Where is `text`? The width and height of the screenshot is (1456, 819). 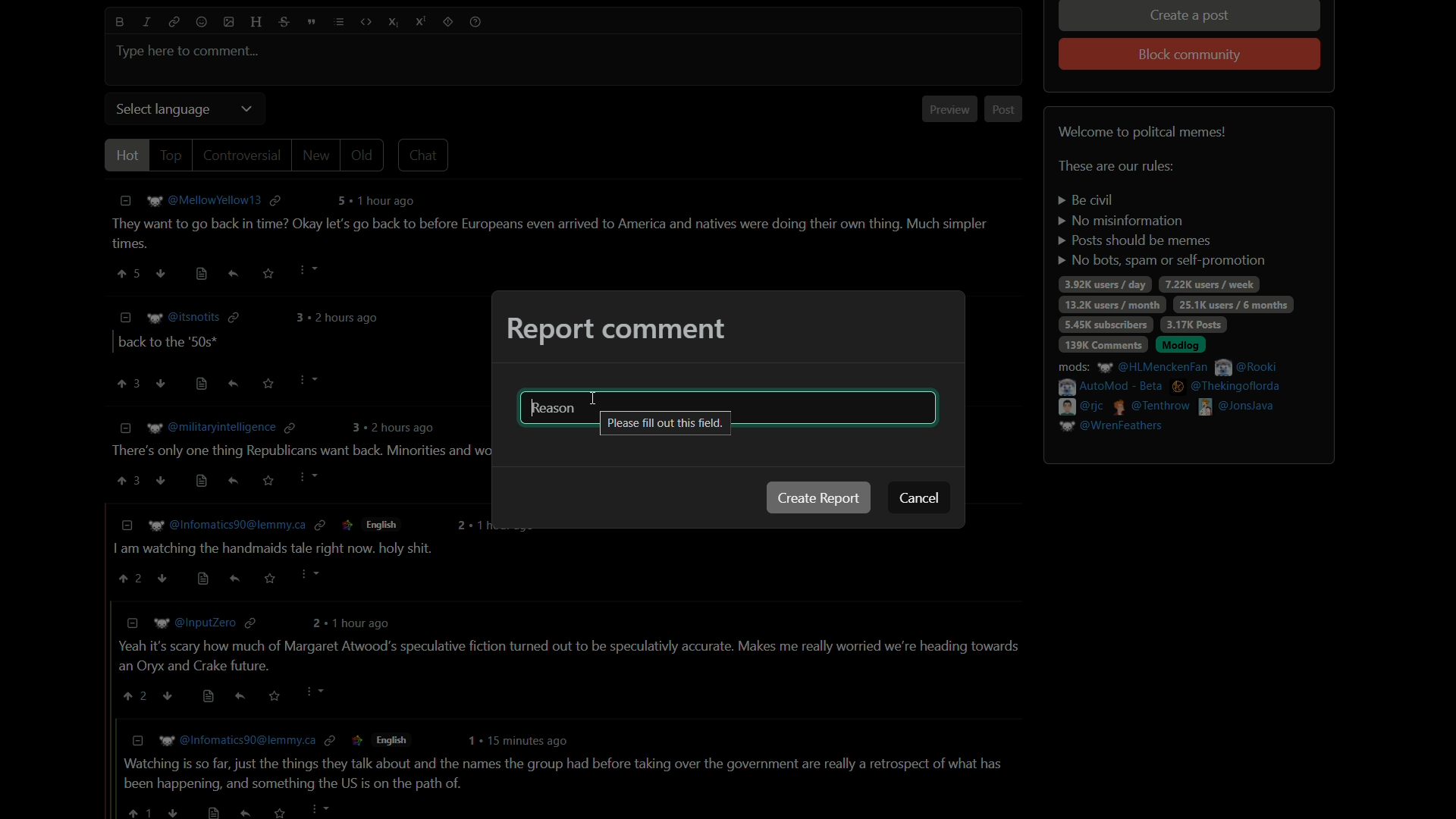 text is located at coordinates (1116, 167).